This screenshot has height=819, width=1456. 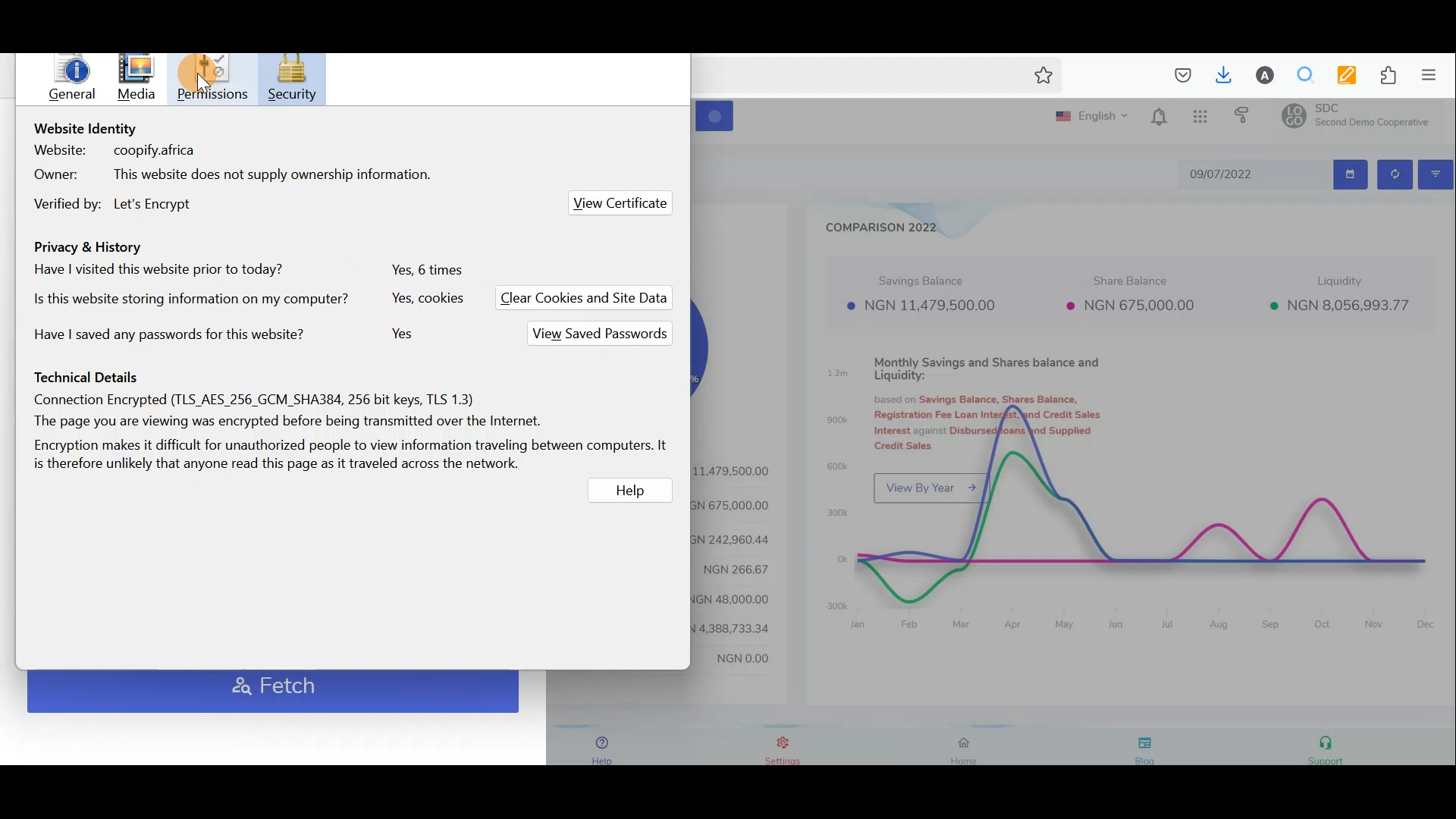 What do you see at coordinates (215, 75) in the screenshot?
I see `Permissions` at bounding box center [215, 75].